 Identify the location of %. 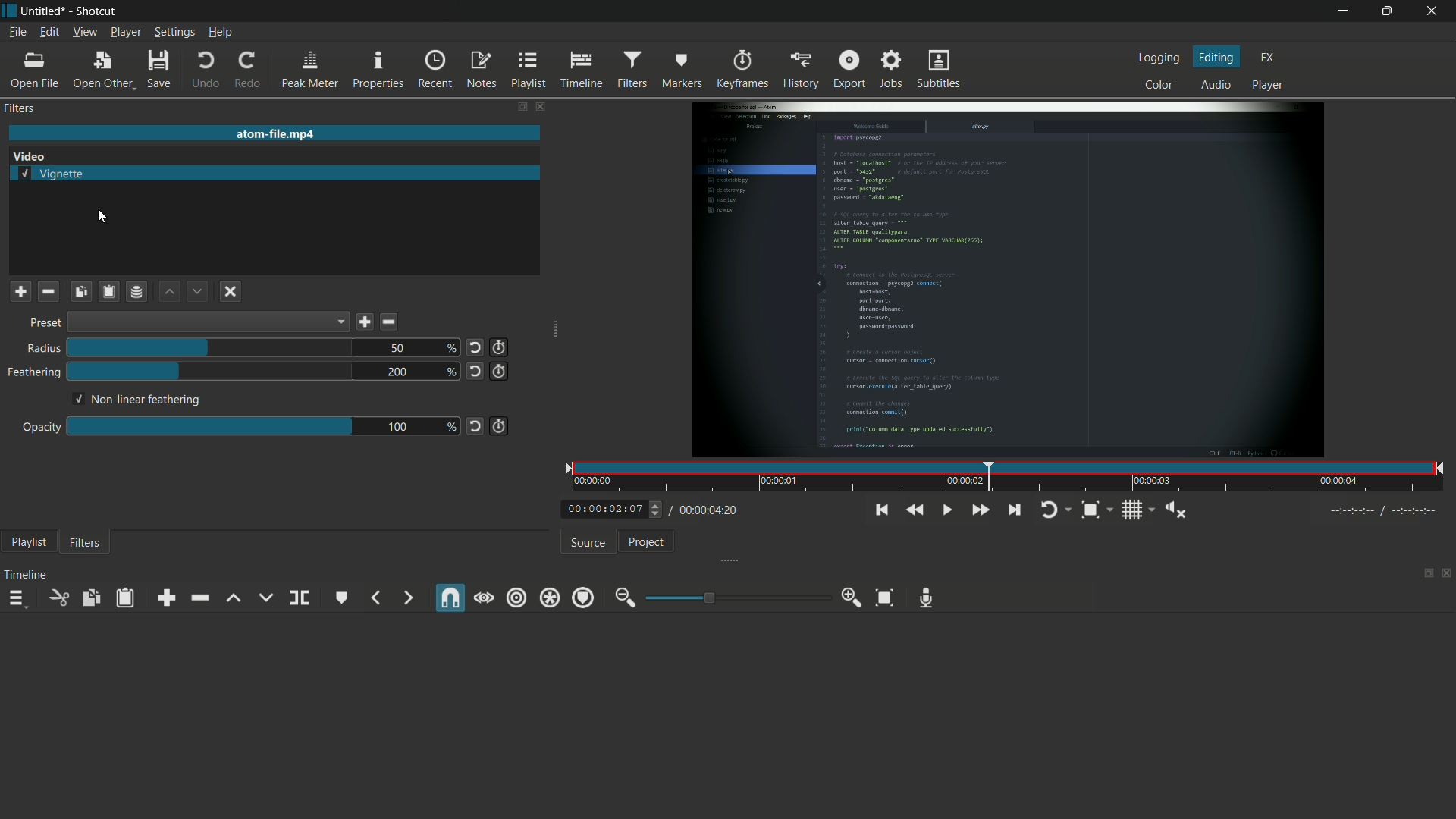
(450, 349).